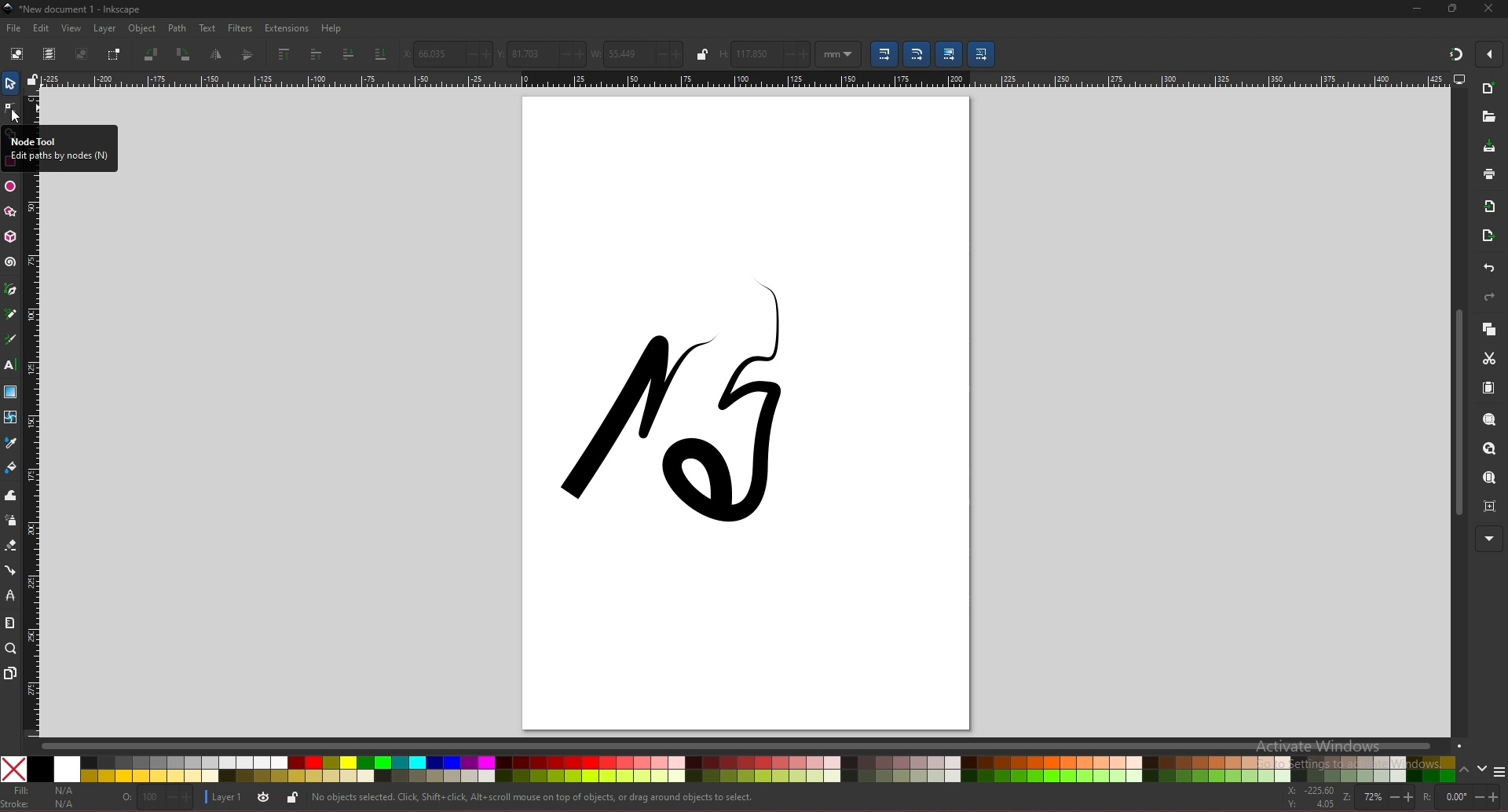 The height and width of the screenshot is (812, 1508). I want to click on enable snapping, so click(1488, 54).